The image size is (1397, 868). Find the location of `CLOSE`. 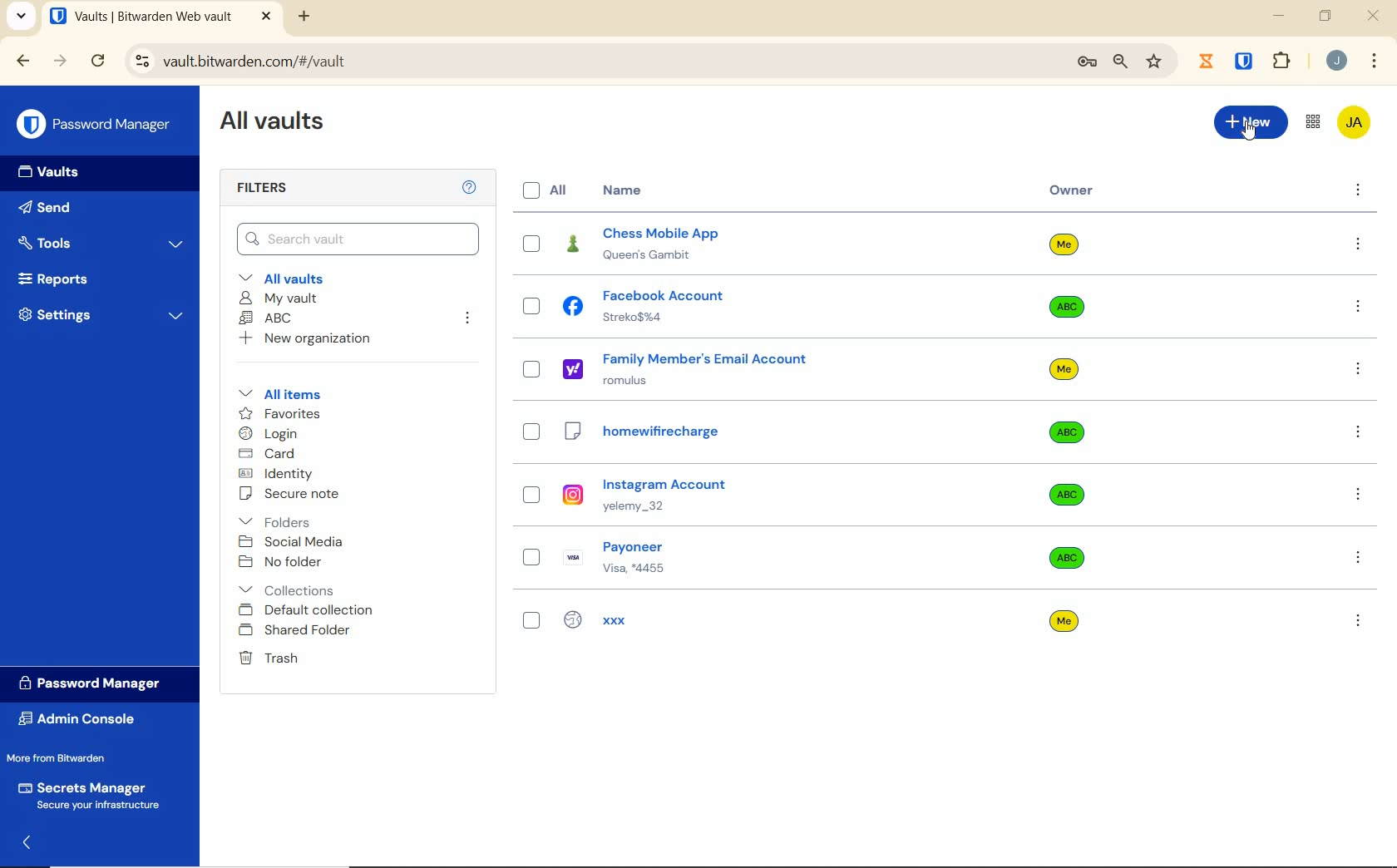

CLOSE is located at coordinates (266, 17).